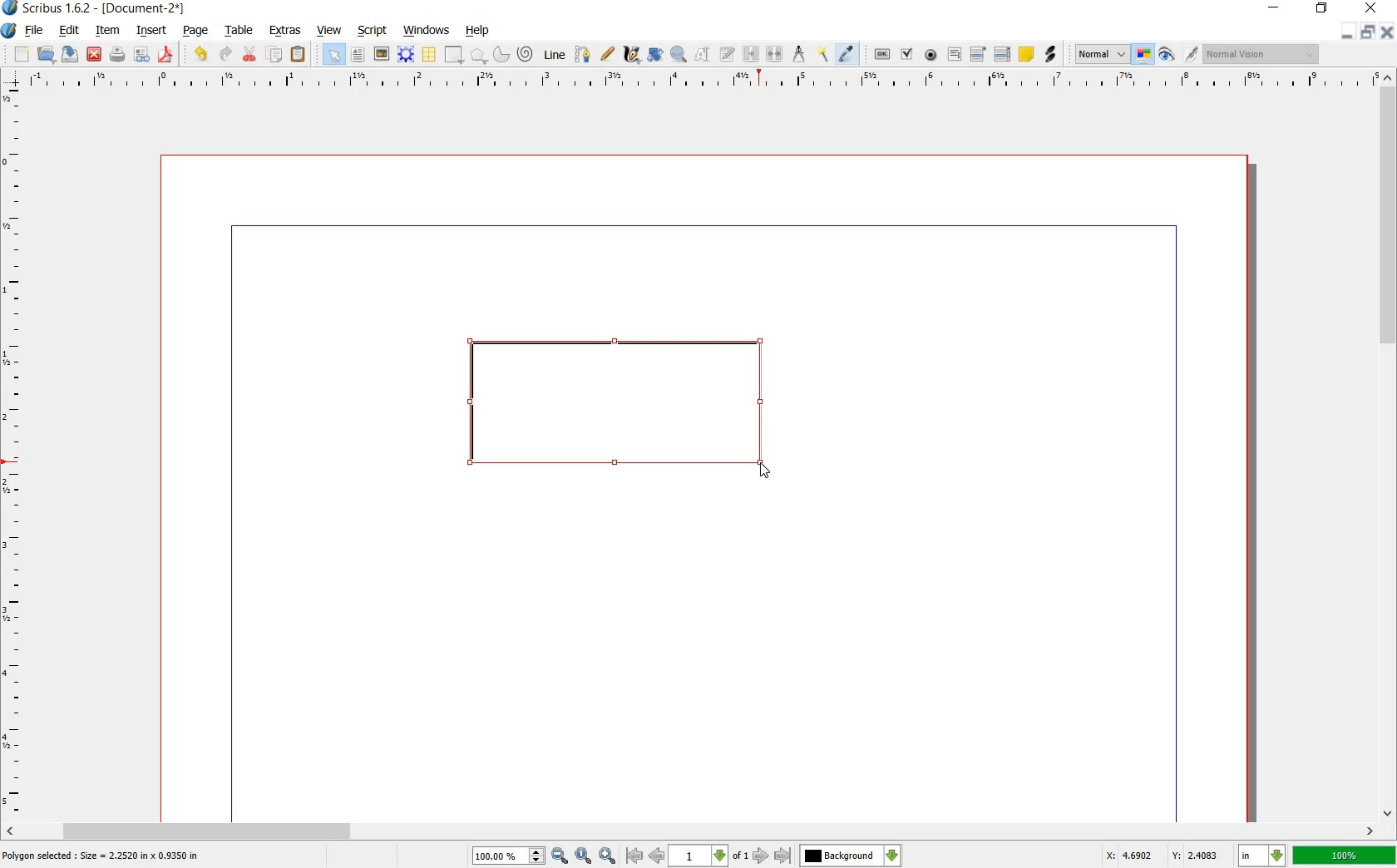 This screenshot has height=868, width=1397. Describe the element at coordinates (630, 54) in the screenshot. I see `CALLIGRAPHIC LINE` at that location.